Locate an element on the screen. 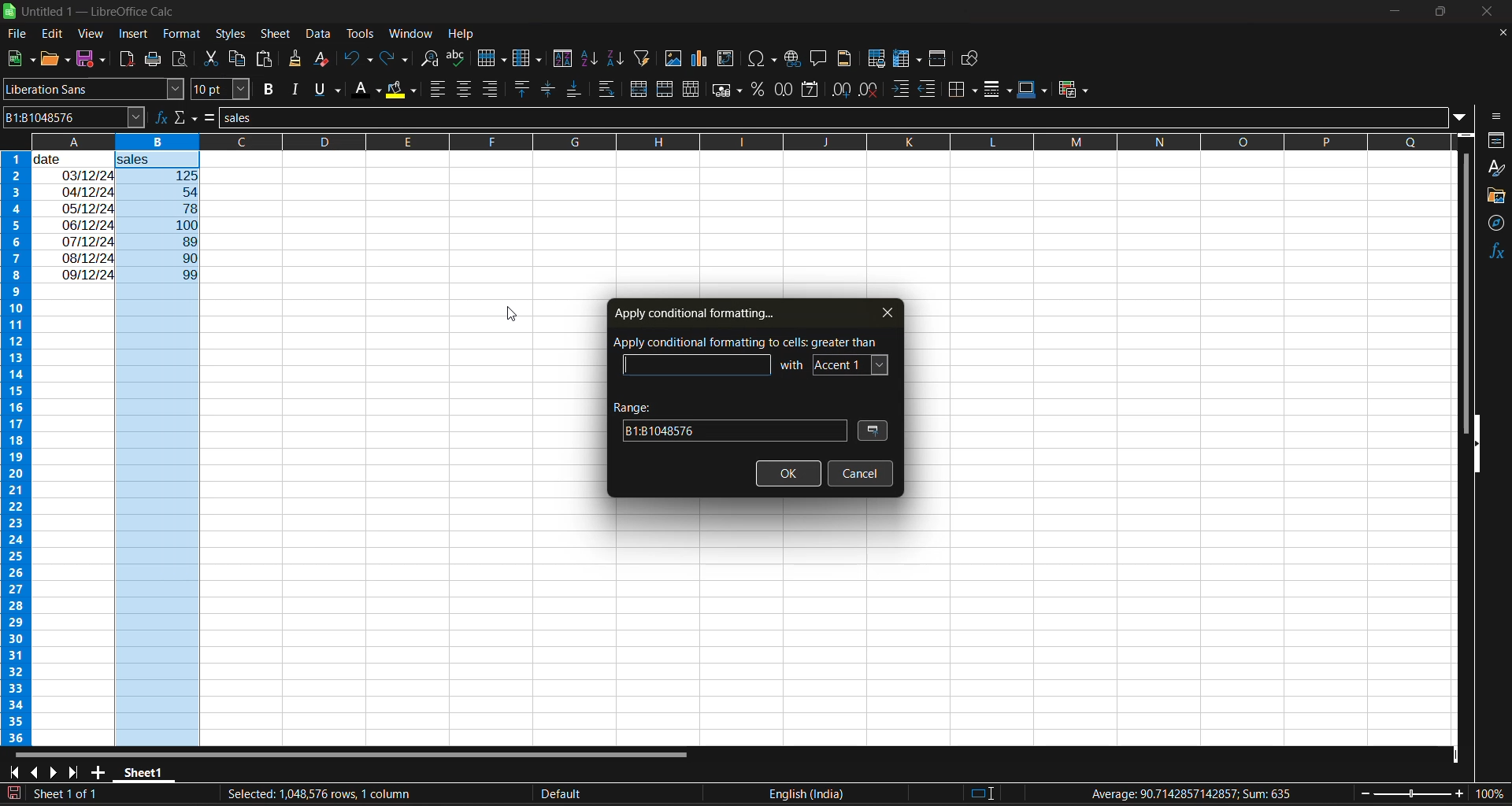  navigator is located at coordinates (1496, 227).